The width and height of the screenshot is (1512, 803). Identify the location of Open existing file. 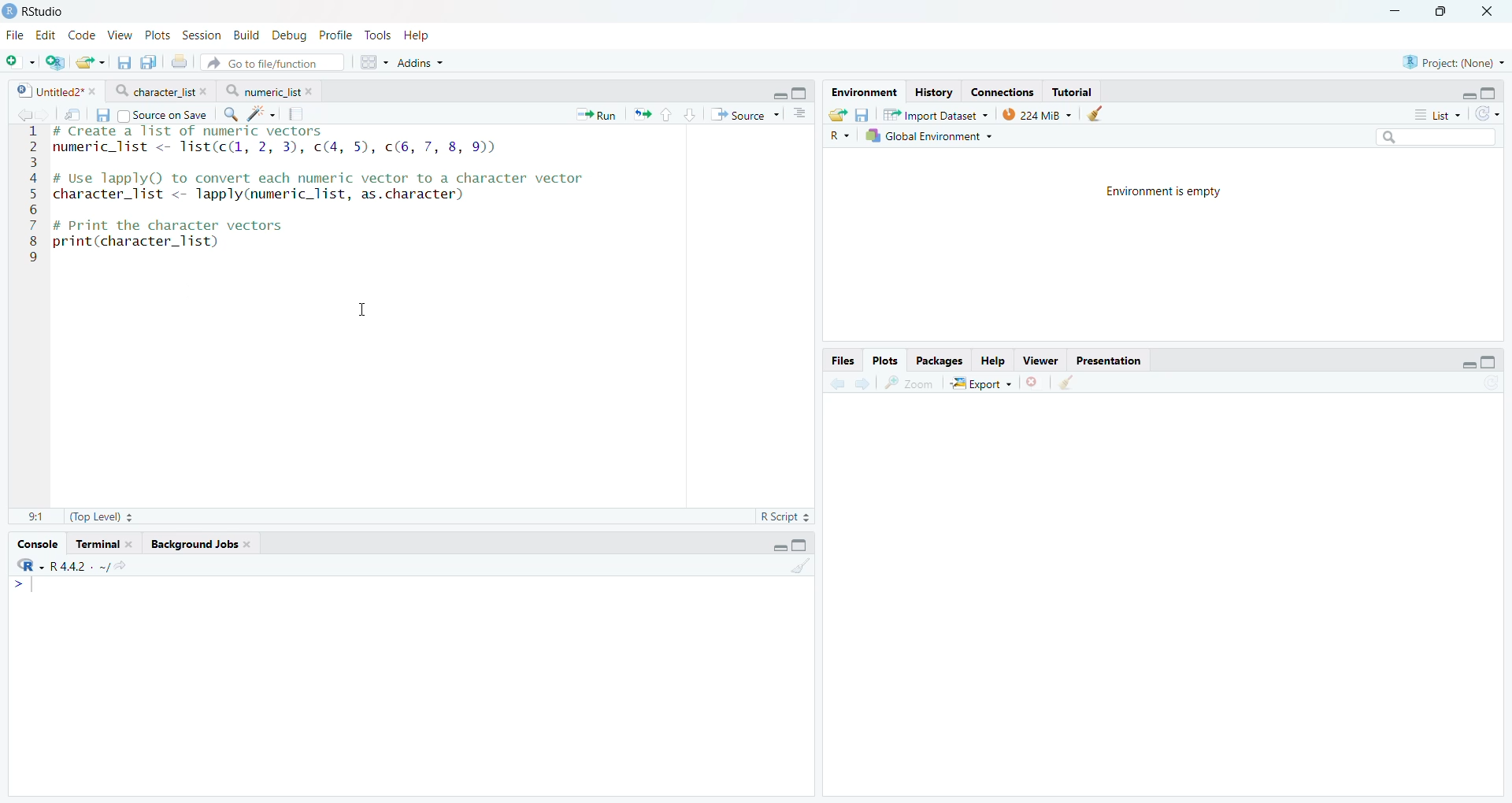
(89, 62).